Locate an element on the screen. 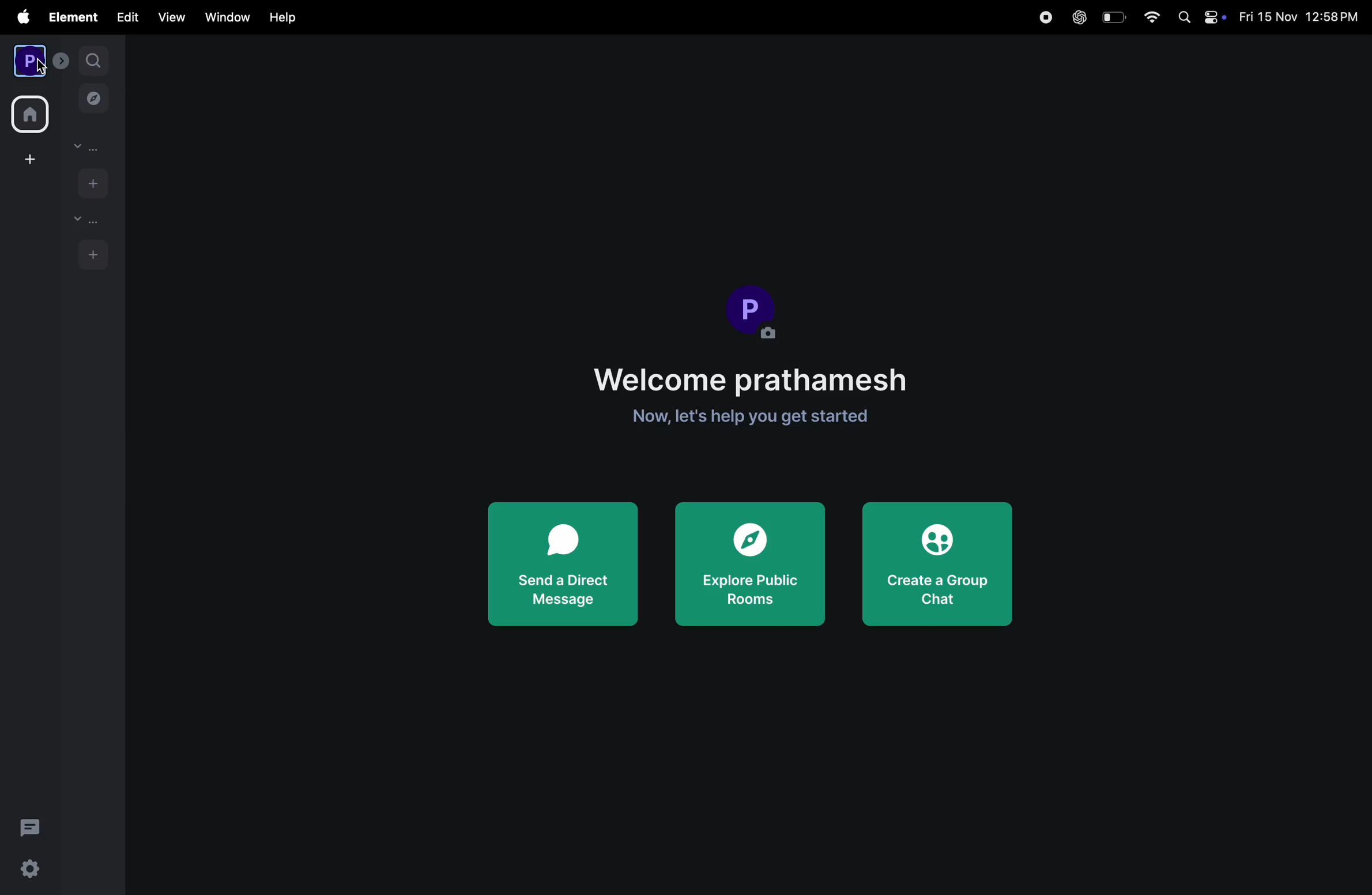 The image size is (1372, 895). wifi is located at coordinates (1153, 18).